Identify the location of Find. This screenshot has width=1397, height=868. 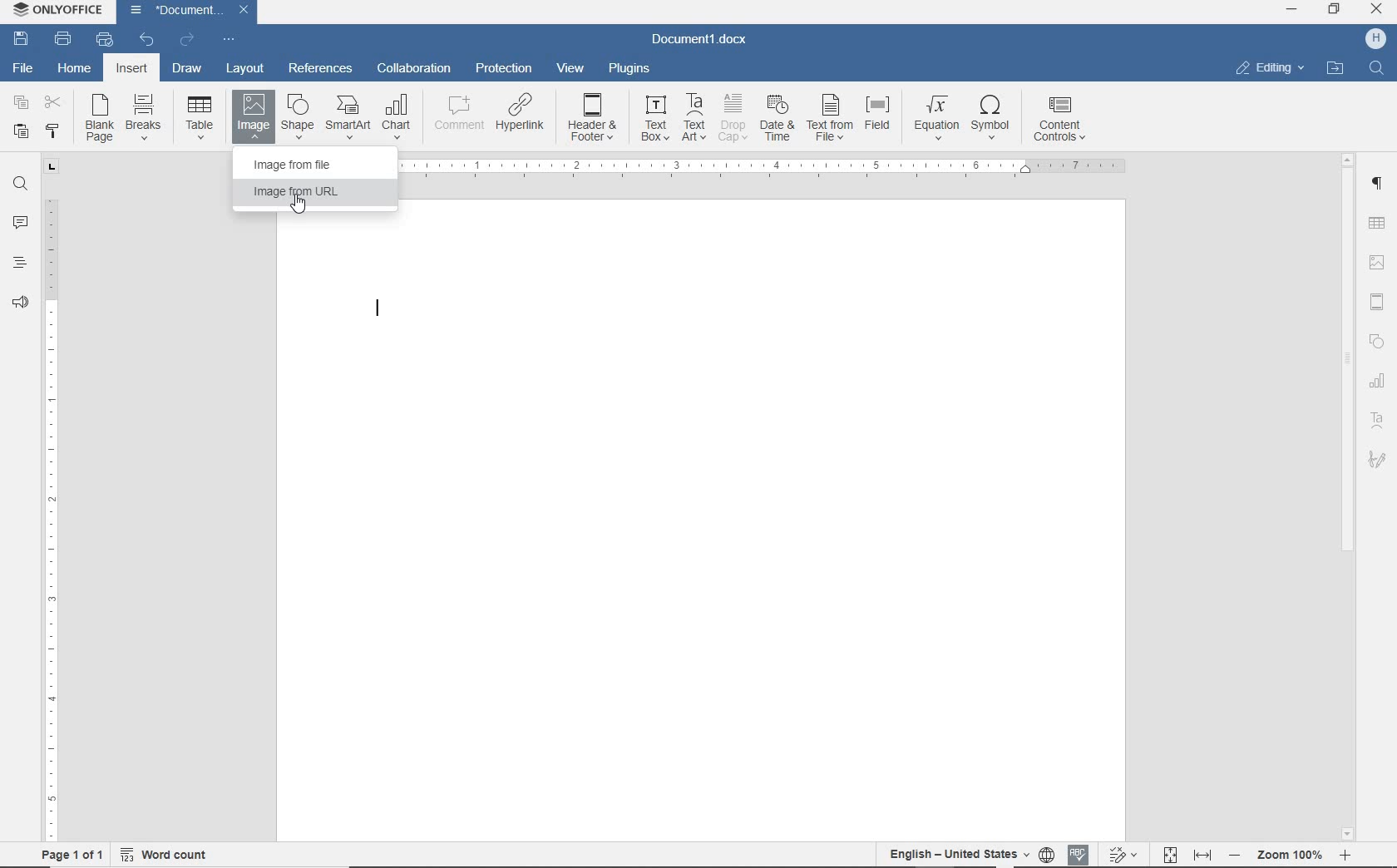
(1380, 70).